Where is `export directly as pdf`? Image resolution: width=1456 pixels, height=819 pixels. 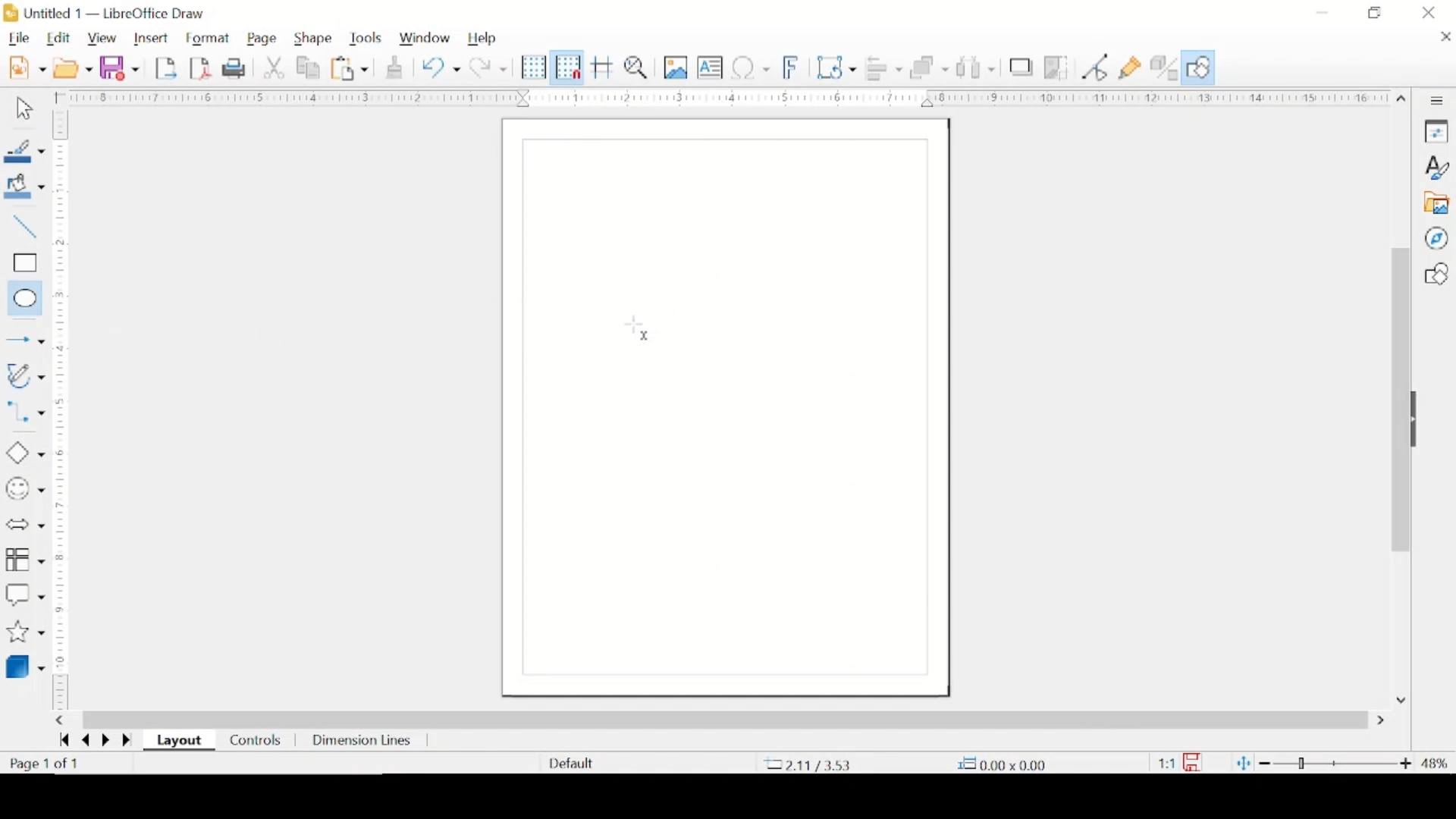 export directly as pdf is located at coordinates (201, 68).